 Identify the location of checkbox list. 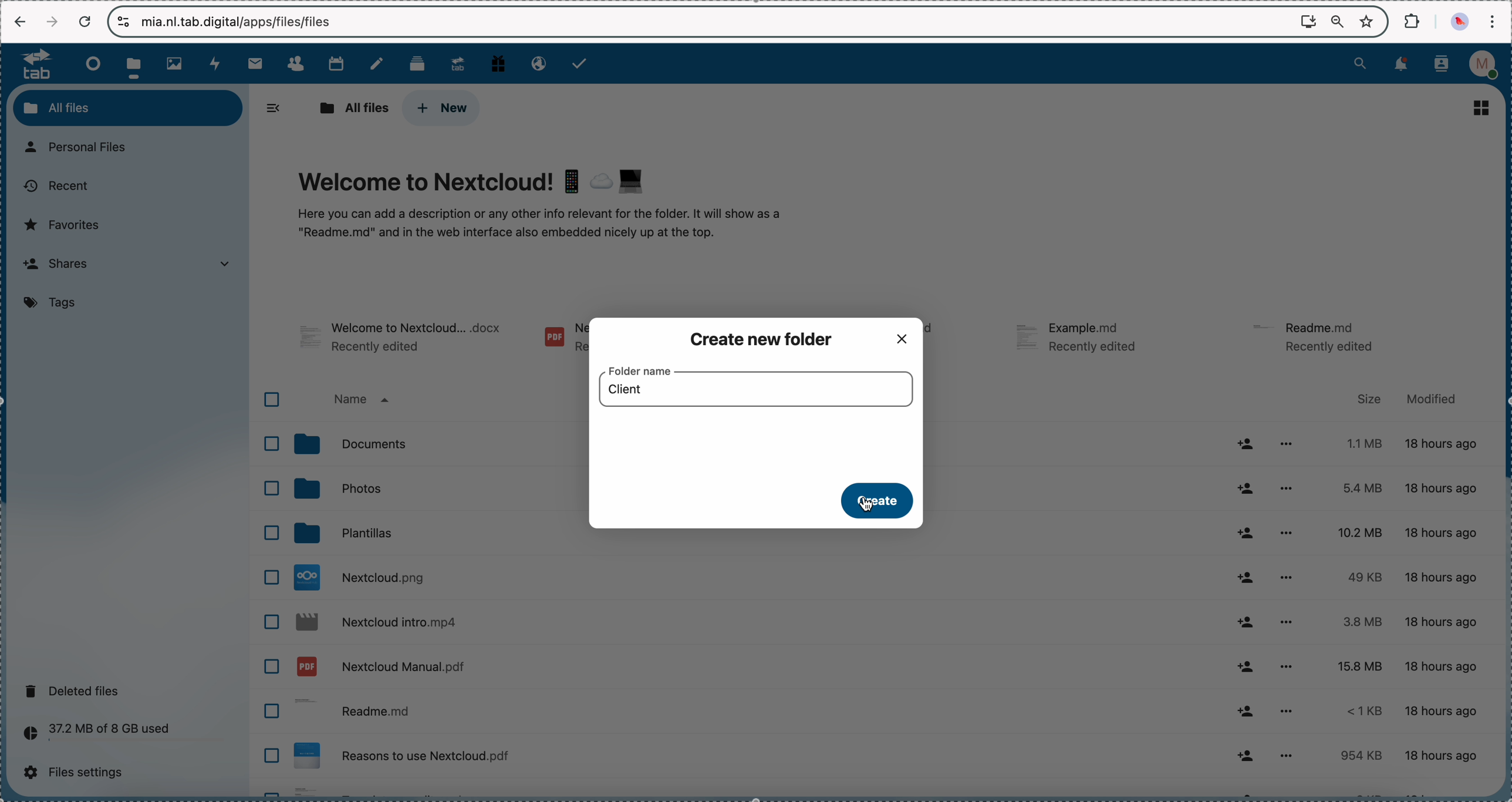
(266, 587).